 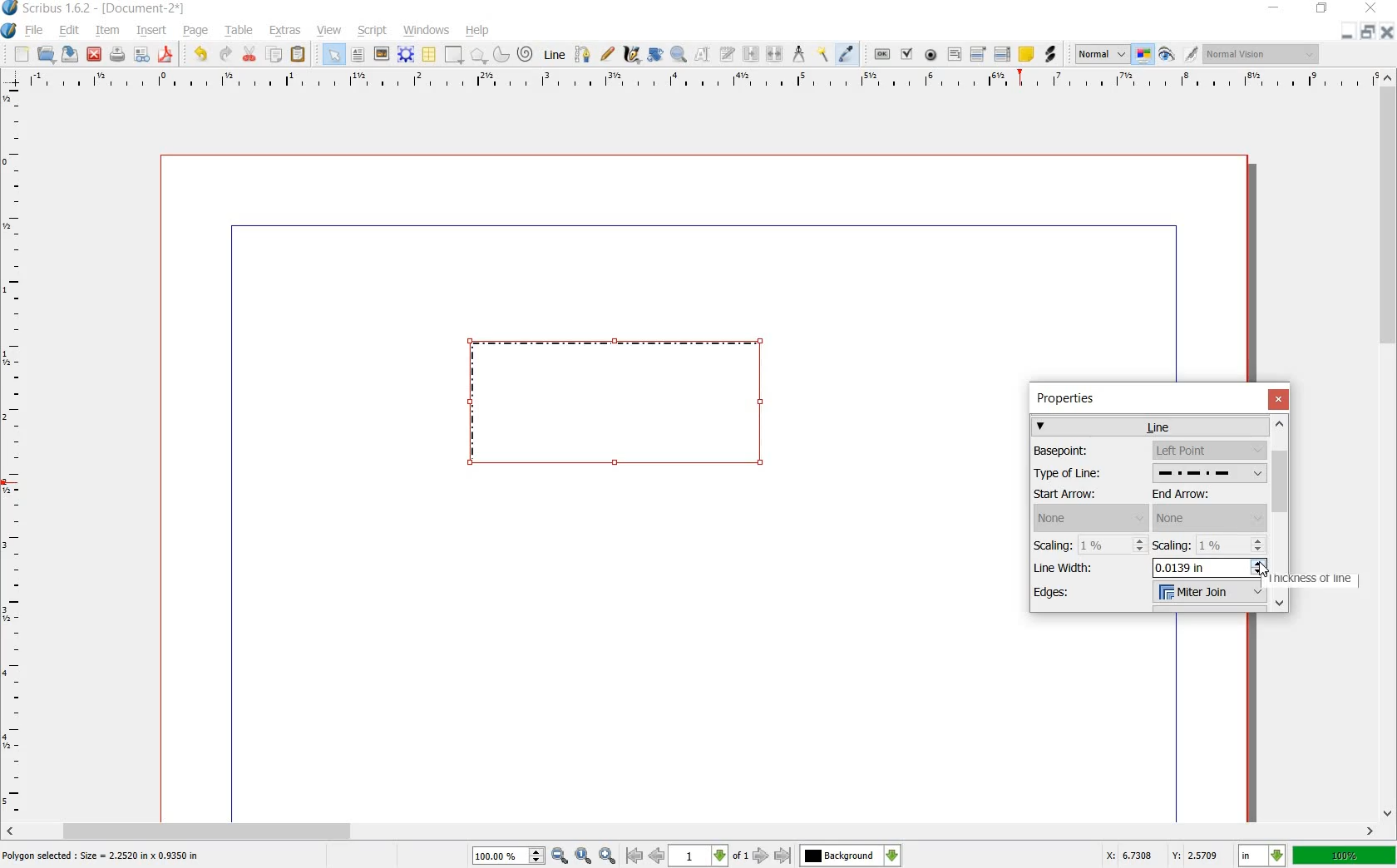 I want to click on PDF PUSH BUTTON, so click(x=879, y=54).